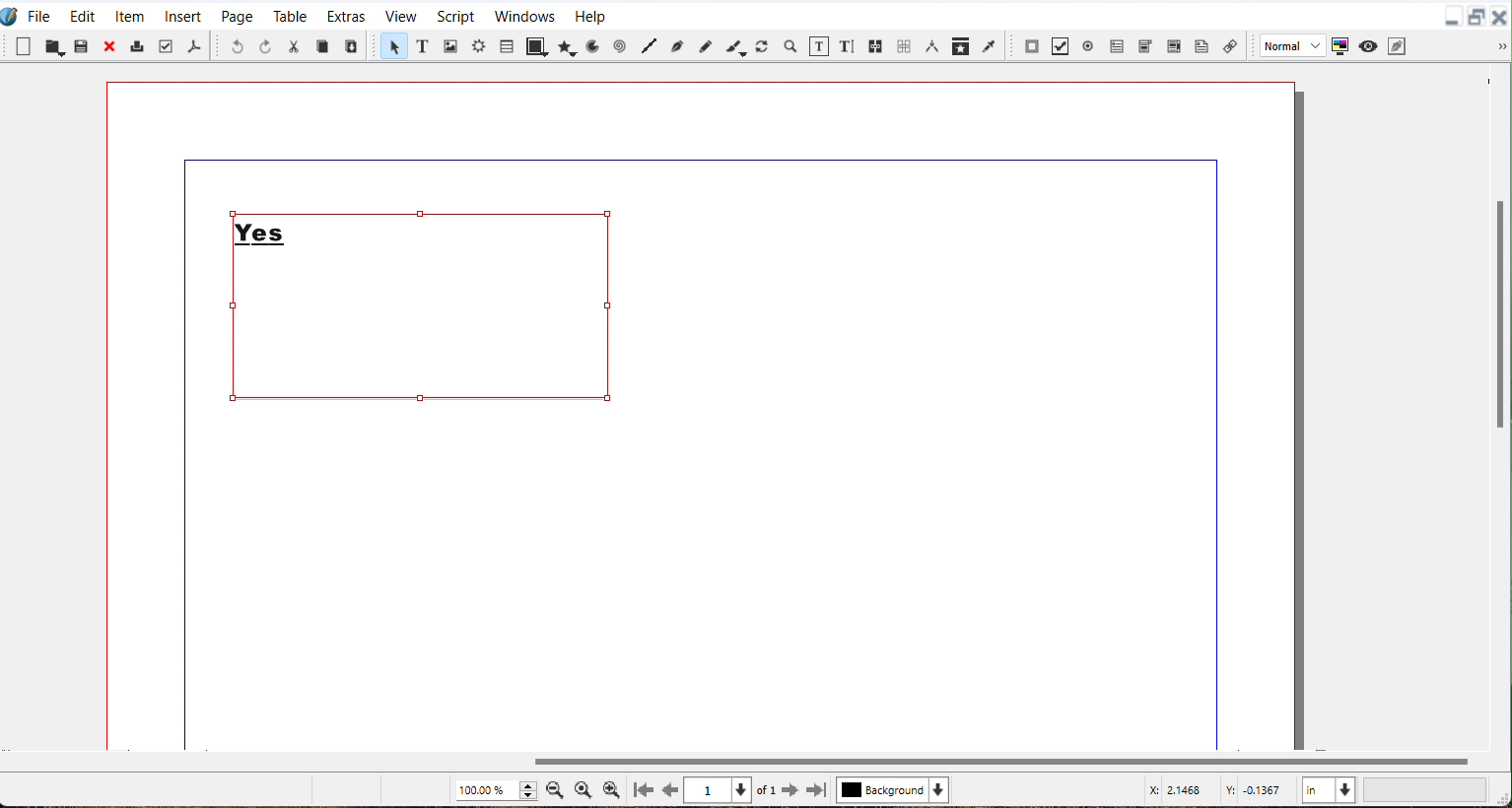  What do you see at coordinates (352, 45) in the screenshot?
I see `Paste` at bounding box center [352, 45].